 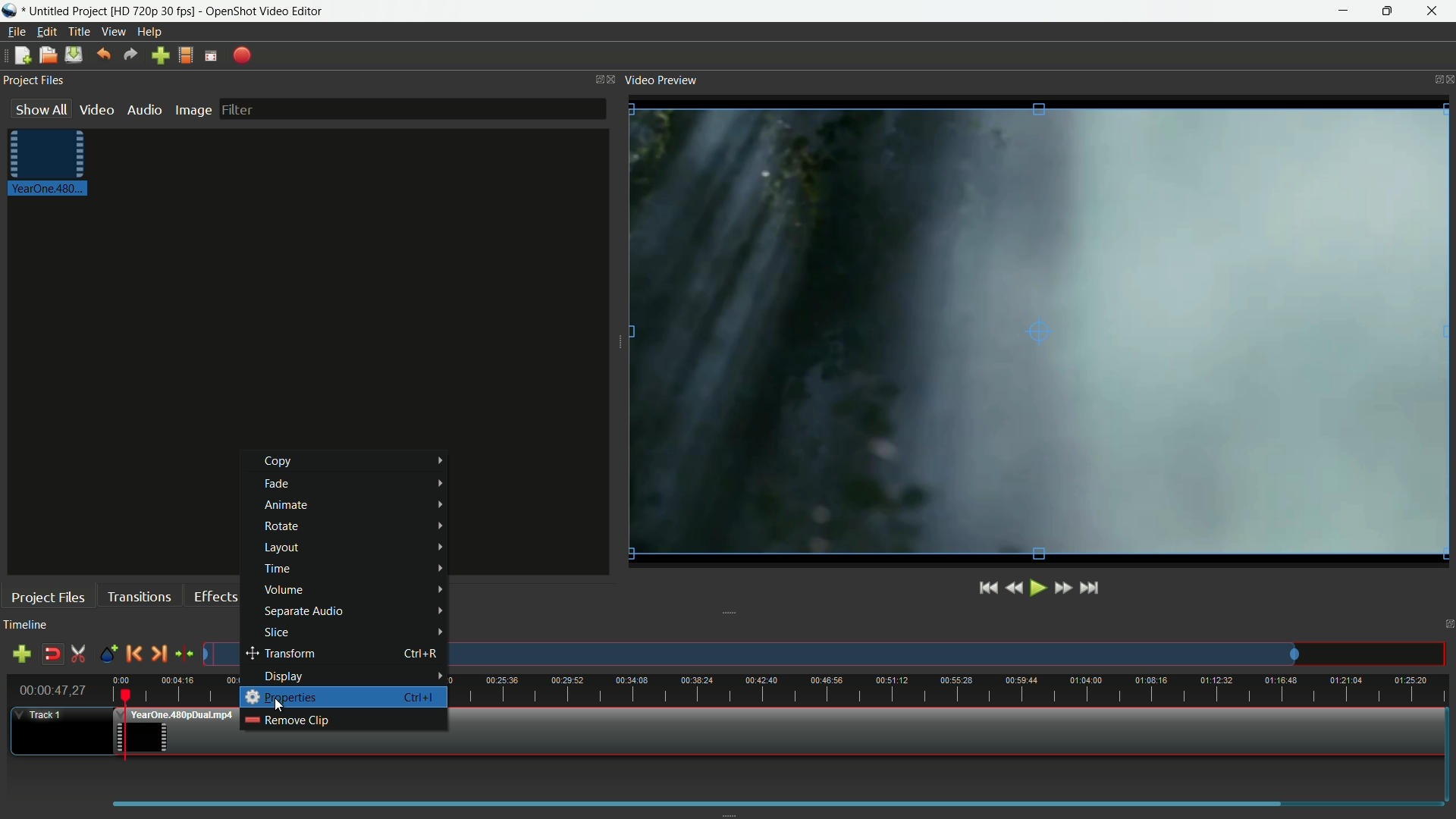 What do you see at coordinates (23, 55) in the screenshot?
I see `new file` at bounding box center [23, 55].